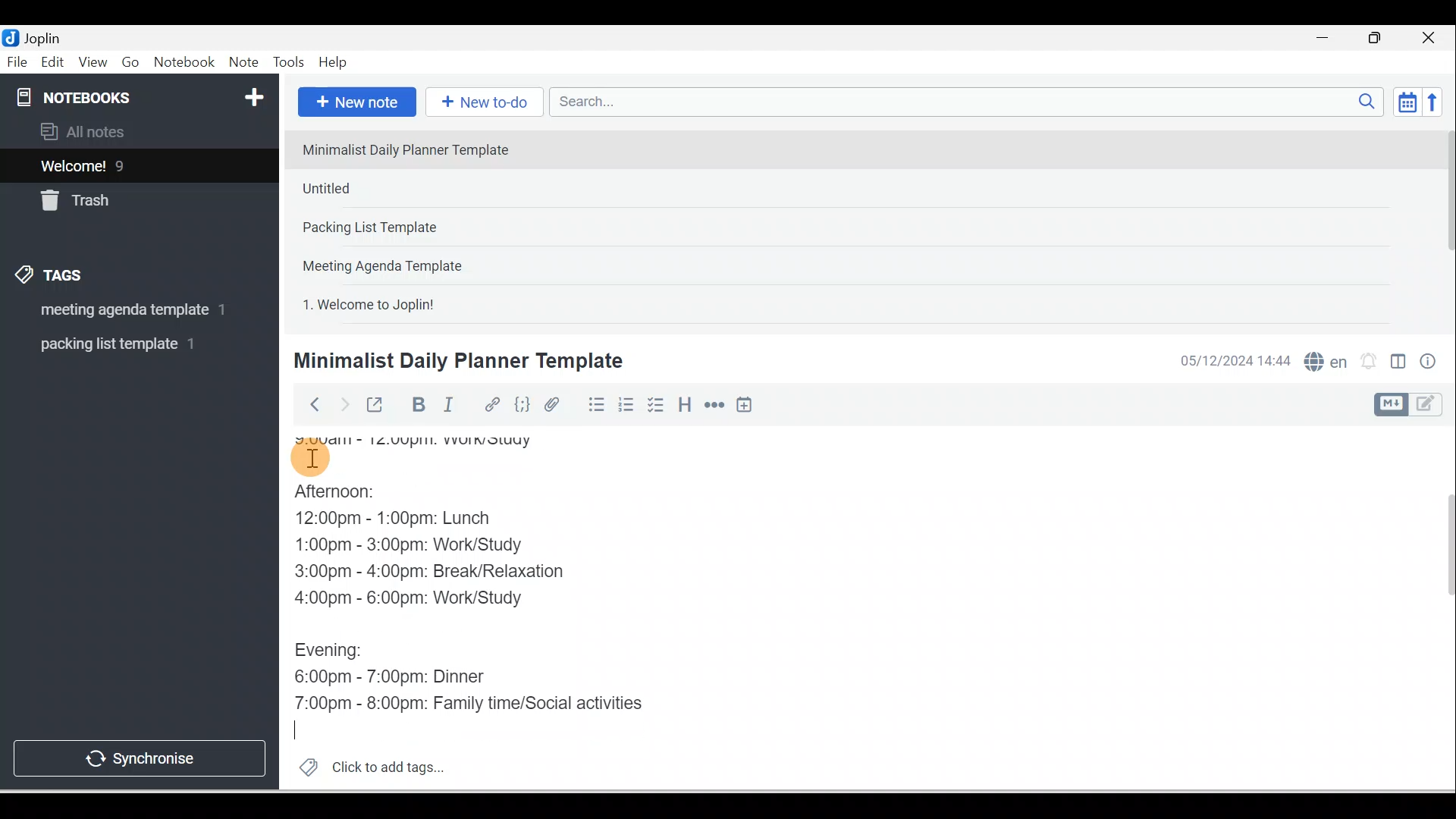 The image size is (1456, 819). Describe the element at coordinates (128, 344) in the screenshot. I see `Tag 2` at that location.